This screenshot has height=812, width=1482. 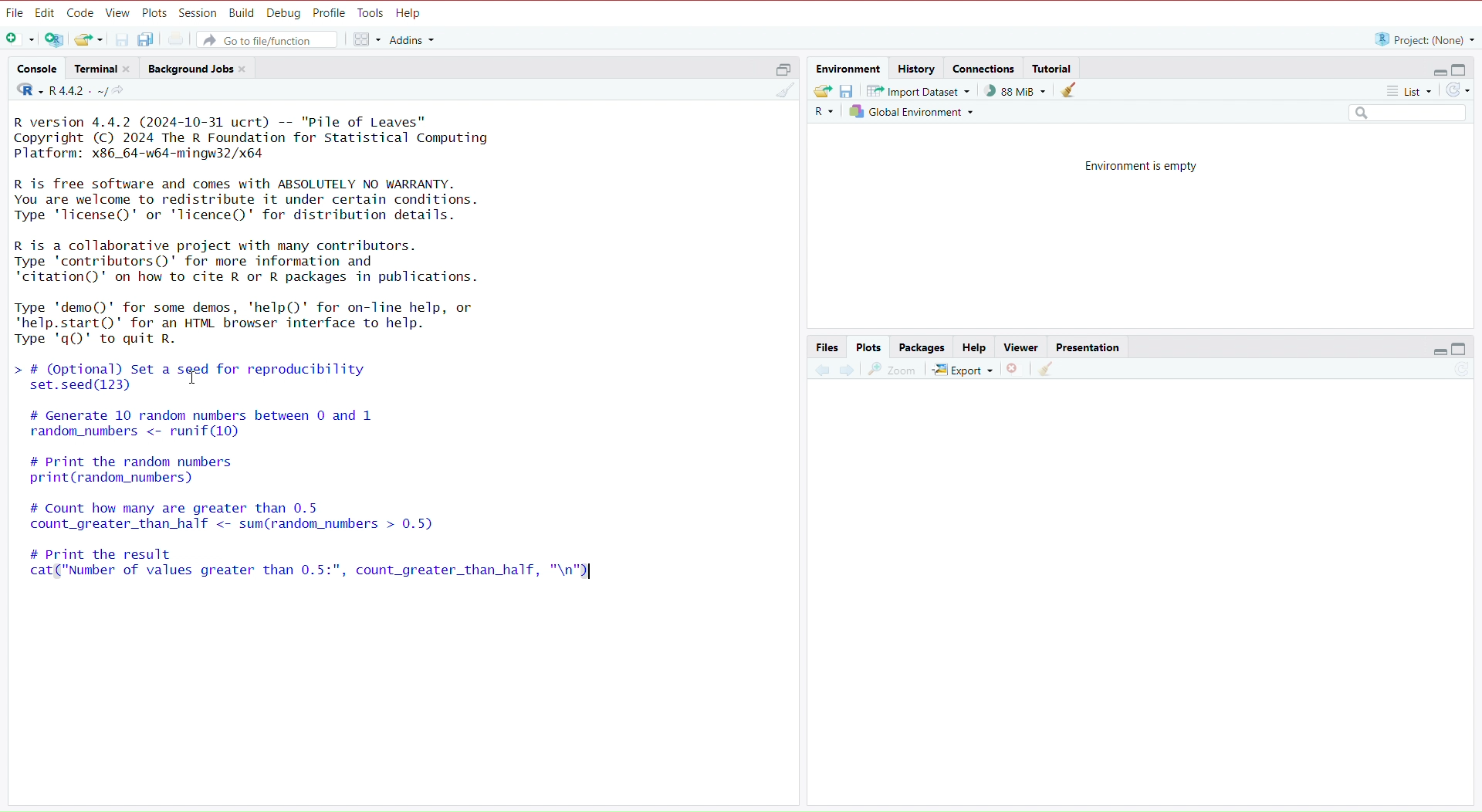 What do you see at coordinates (409, 12) in the screenshot?
I see `Help` at bounding box center [409, 12].